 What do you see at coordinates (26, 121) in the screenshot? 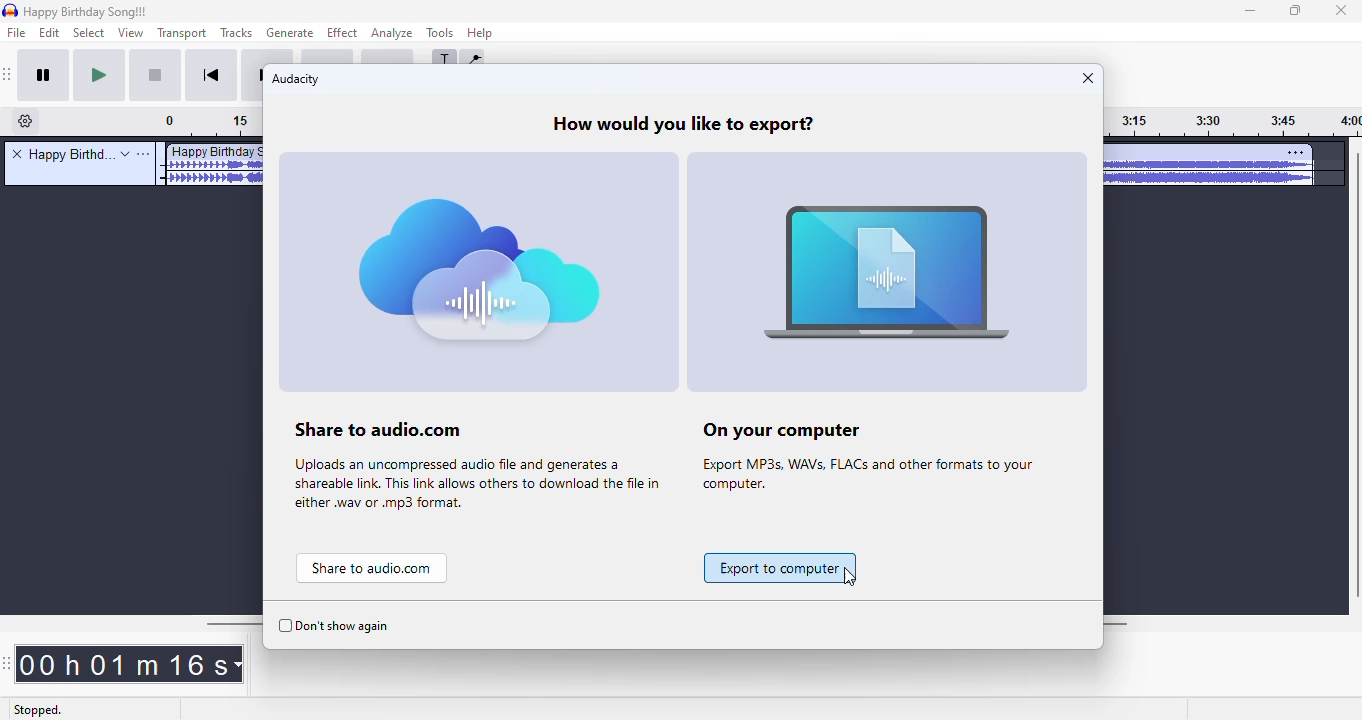
I see `timeline options` at bounding box center [26, 121].